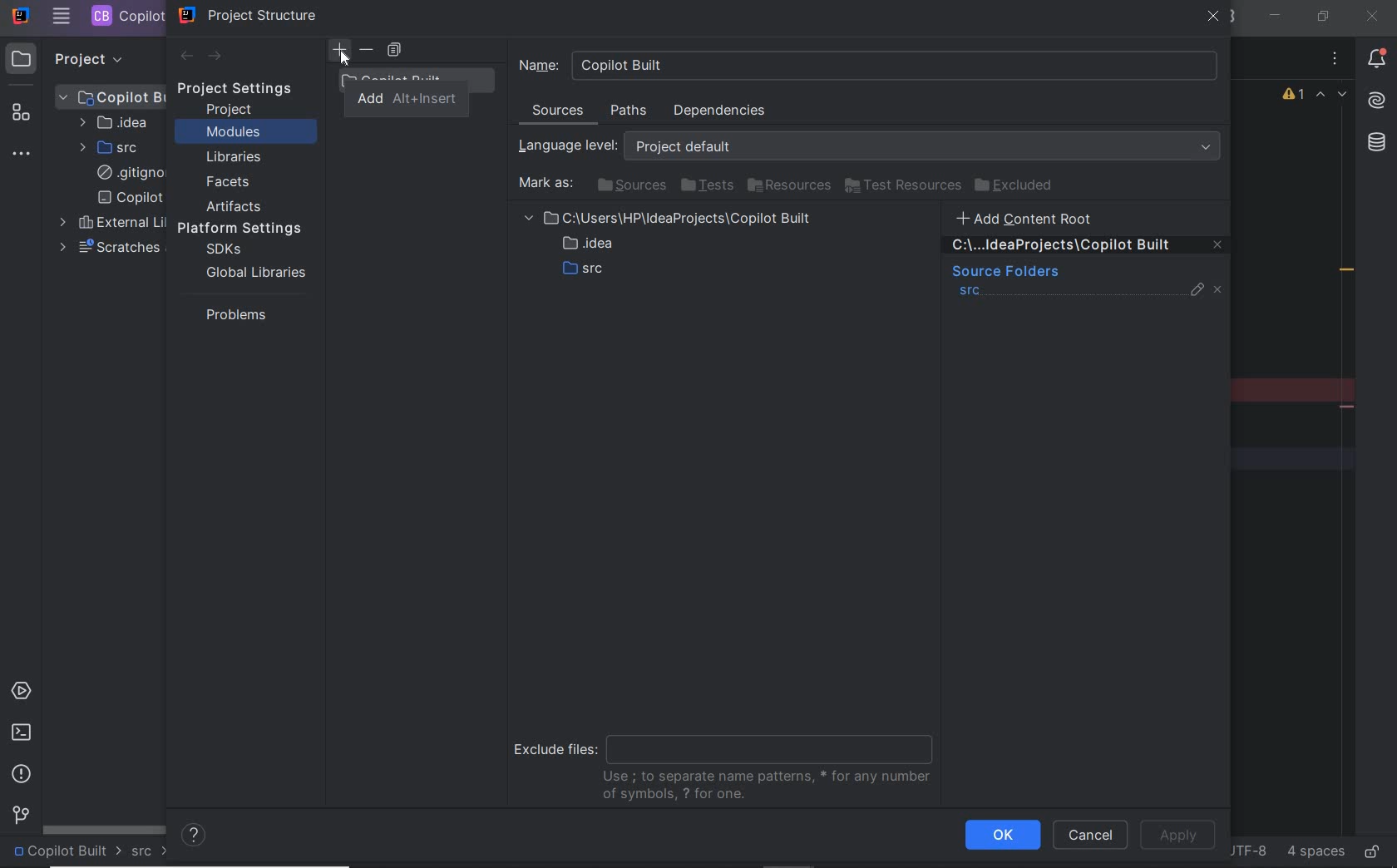 This screenshot has height=868, width=1397. Describe the element at coordinates (130, 198) in the screenshot. I see `copilot built.iml` at that location.